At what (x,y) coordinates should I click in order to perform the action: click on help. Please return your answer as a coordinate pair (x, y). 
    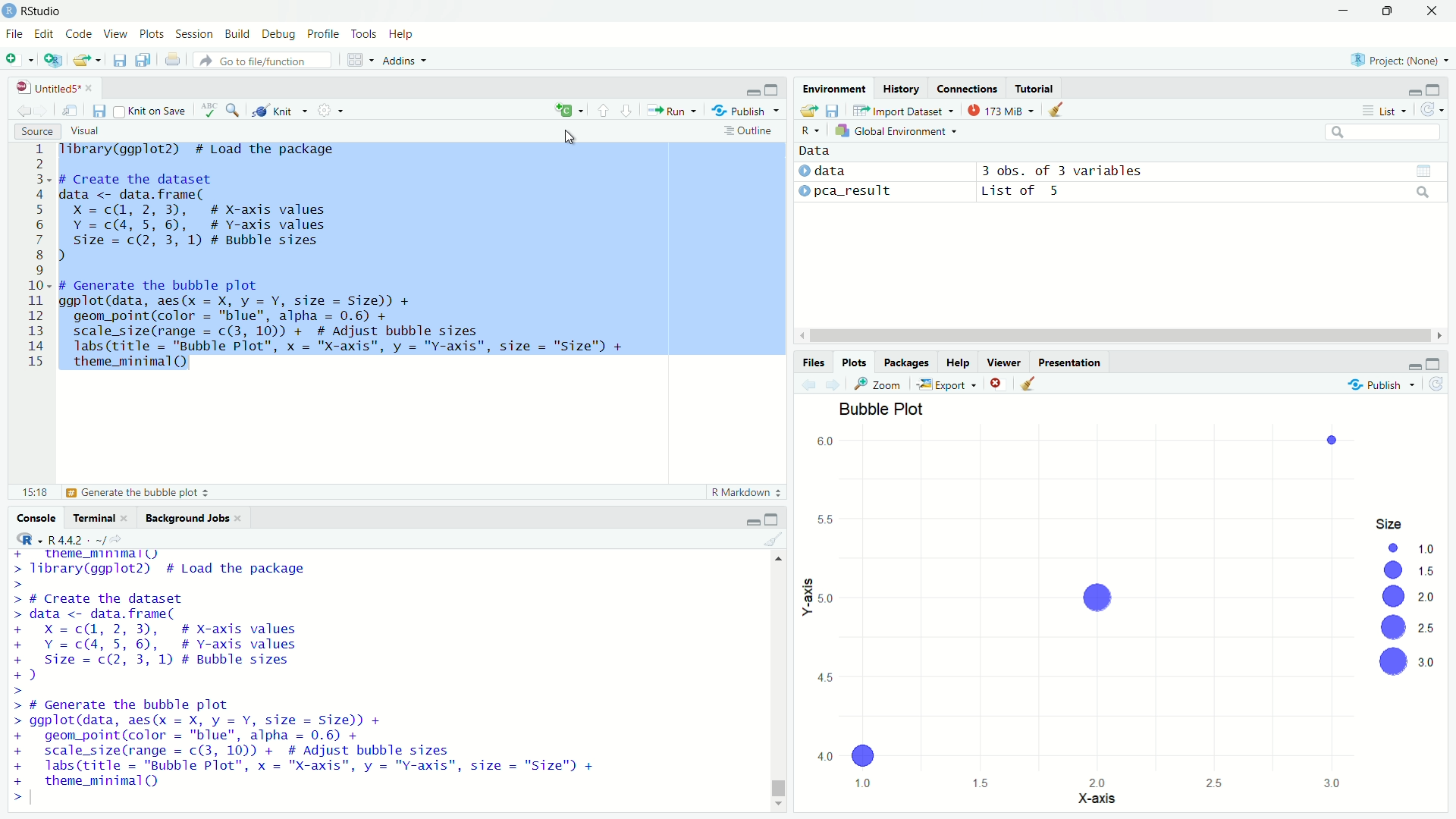
    Looking at the image, I should click on (402, 36).